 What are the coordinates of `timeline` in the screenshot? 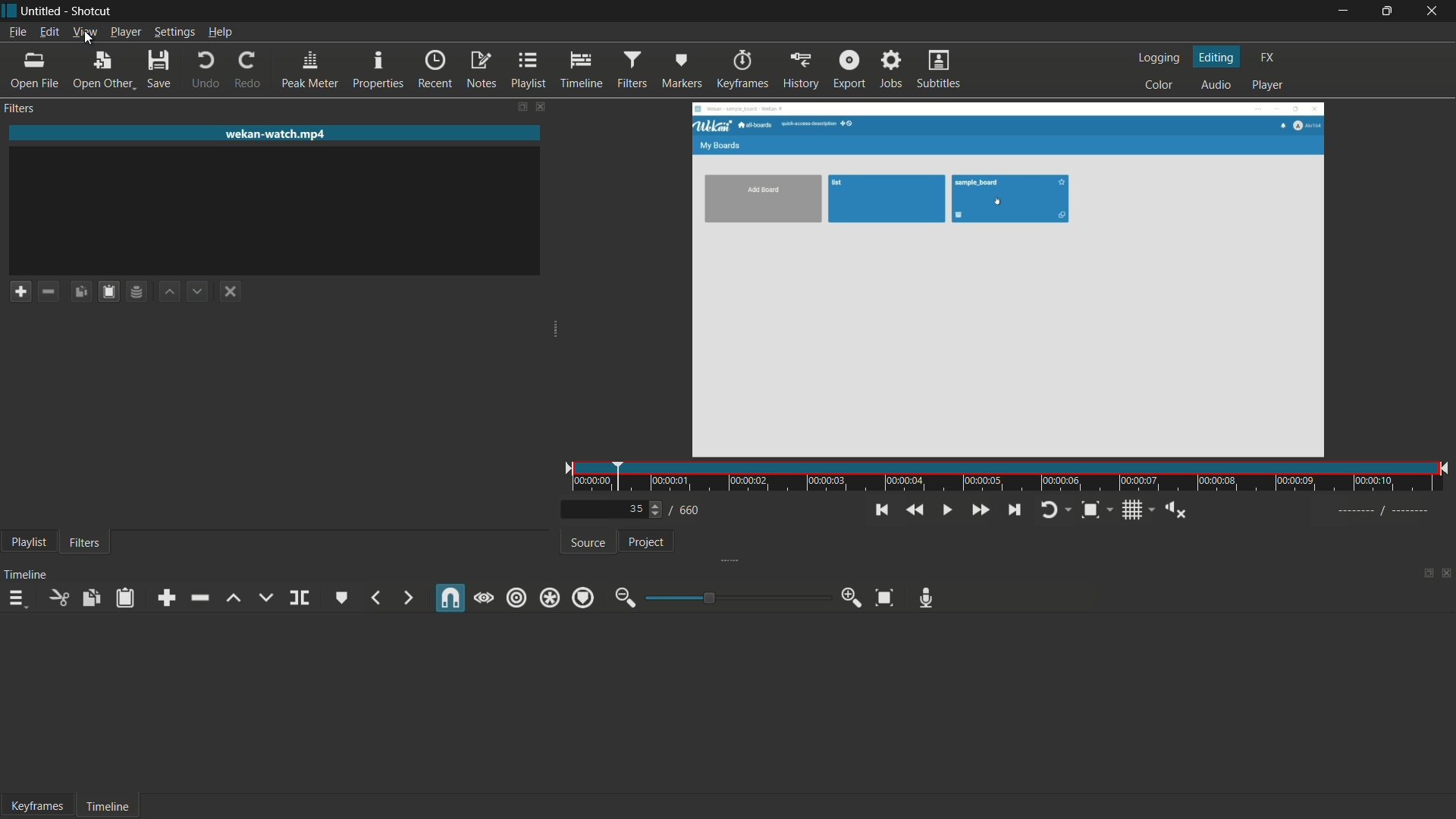 It's located at (110, 807).